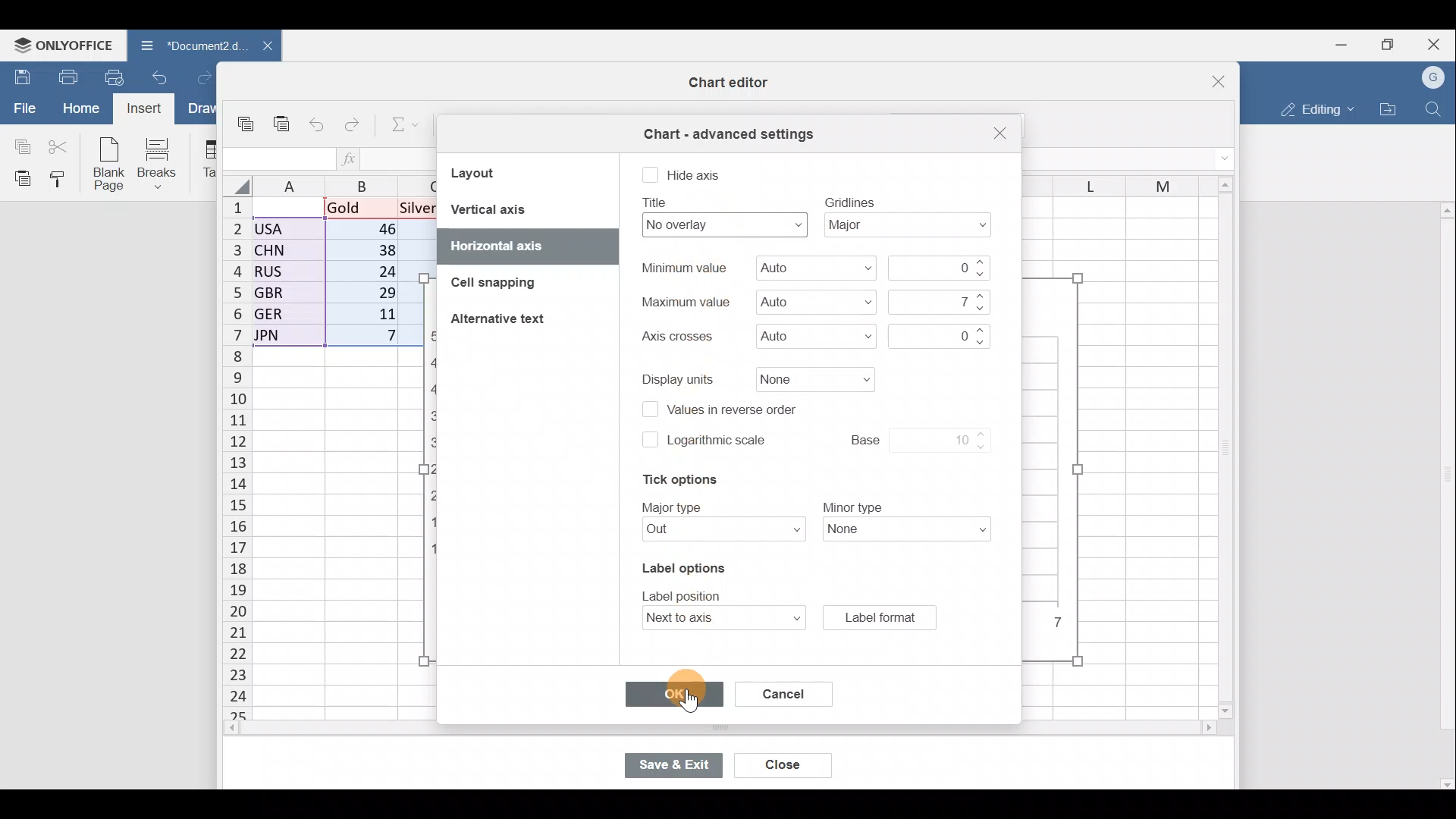 The image size is (1456, 819). What do you see at coordinates (715, 532) in the screenshot?
I see `Major type` at bounding box center [715, 532].